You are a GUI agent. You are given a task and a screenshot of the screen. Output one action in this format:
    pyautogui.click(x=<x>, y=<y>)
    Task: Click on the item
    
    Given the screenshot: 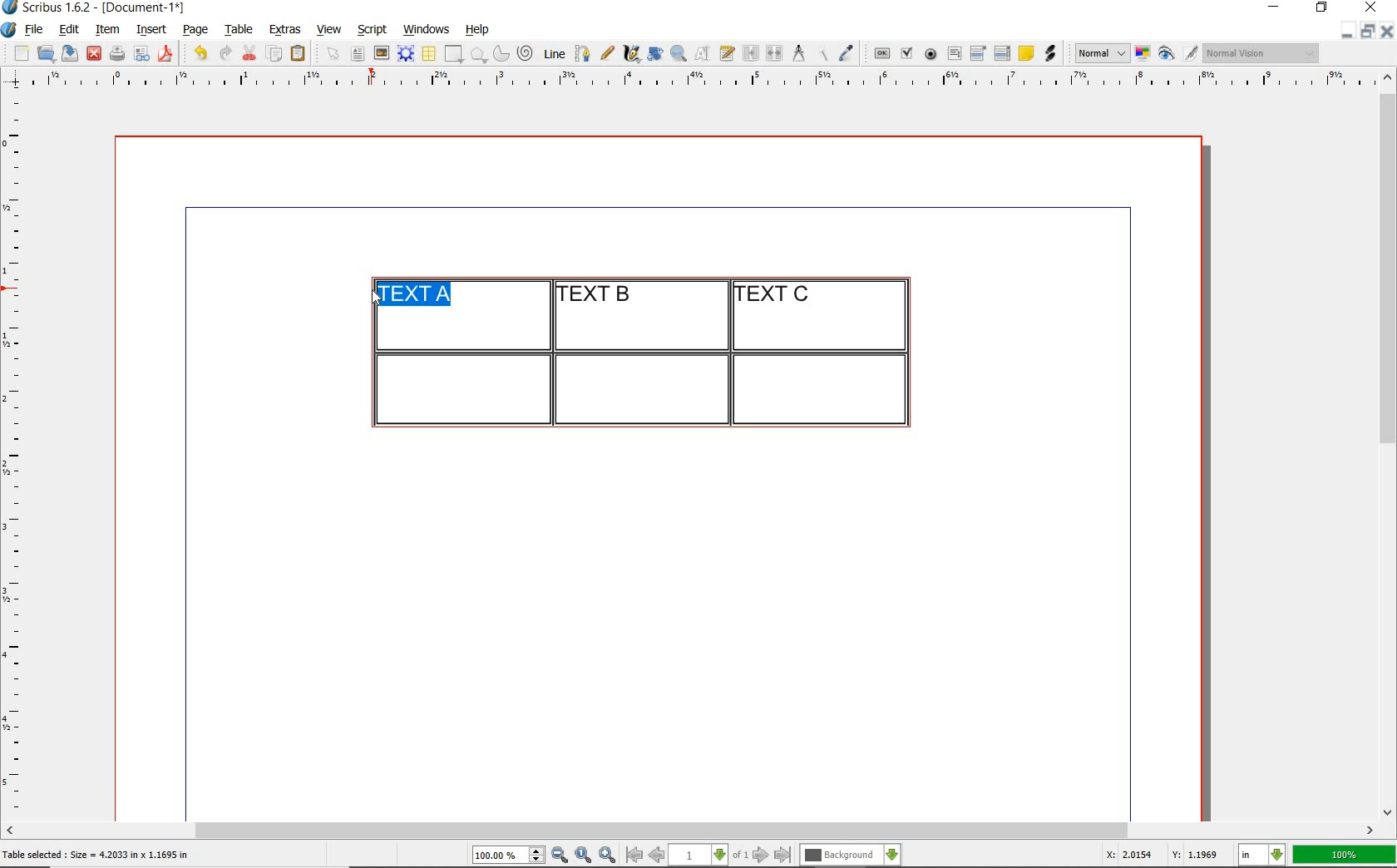 What is the action you would take?
    pyautogui.click(x=106, y=30)
    